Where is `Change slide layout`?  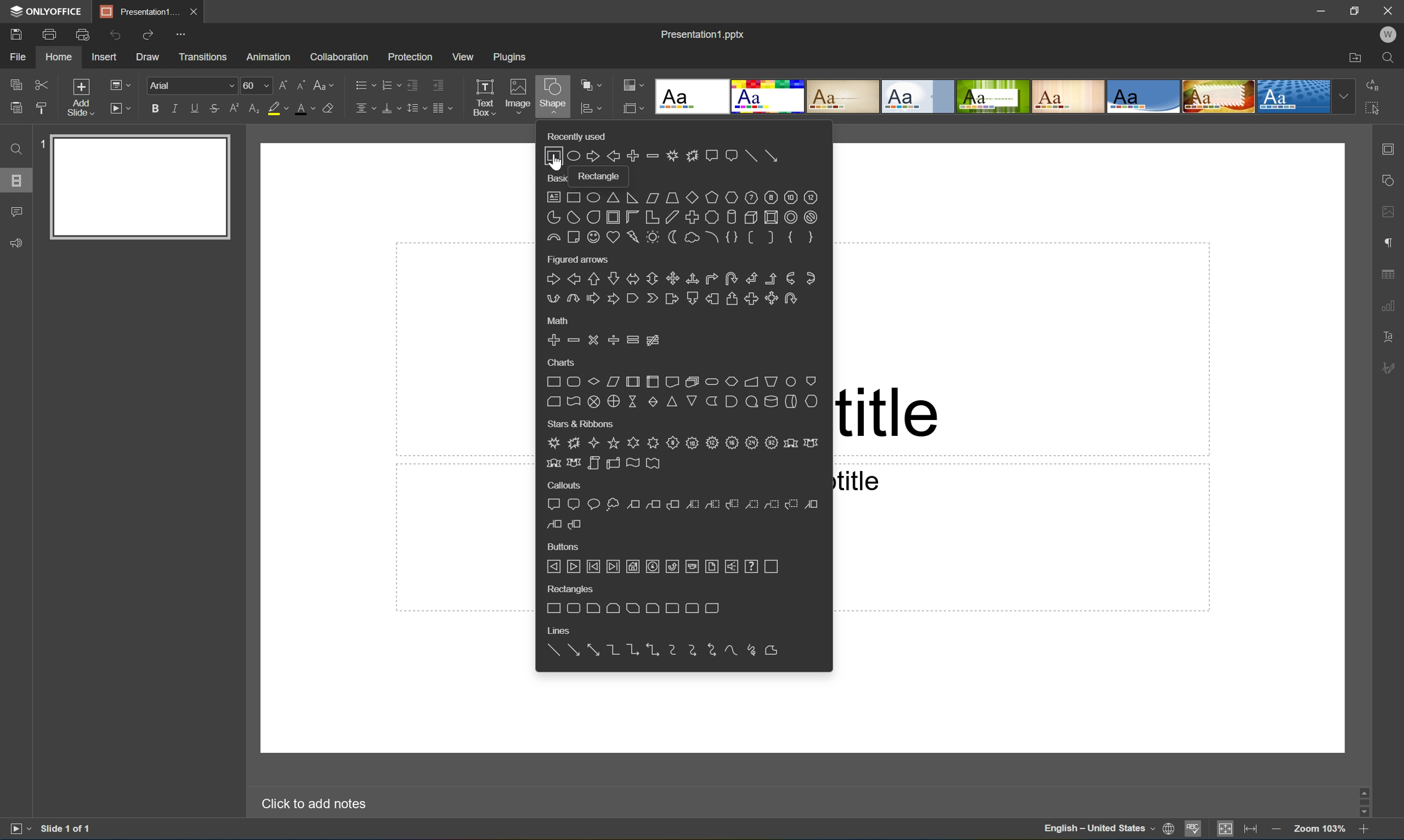 Change slide layout is located at coordinates (121, 84).